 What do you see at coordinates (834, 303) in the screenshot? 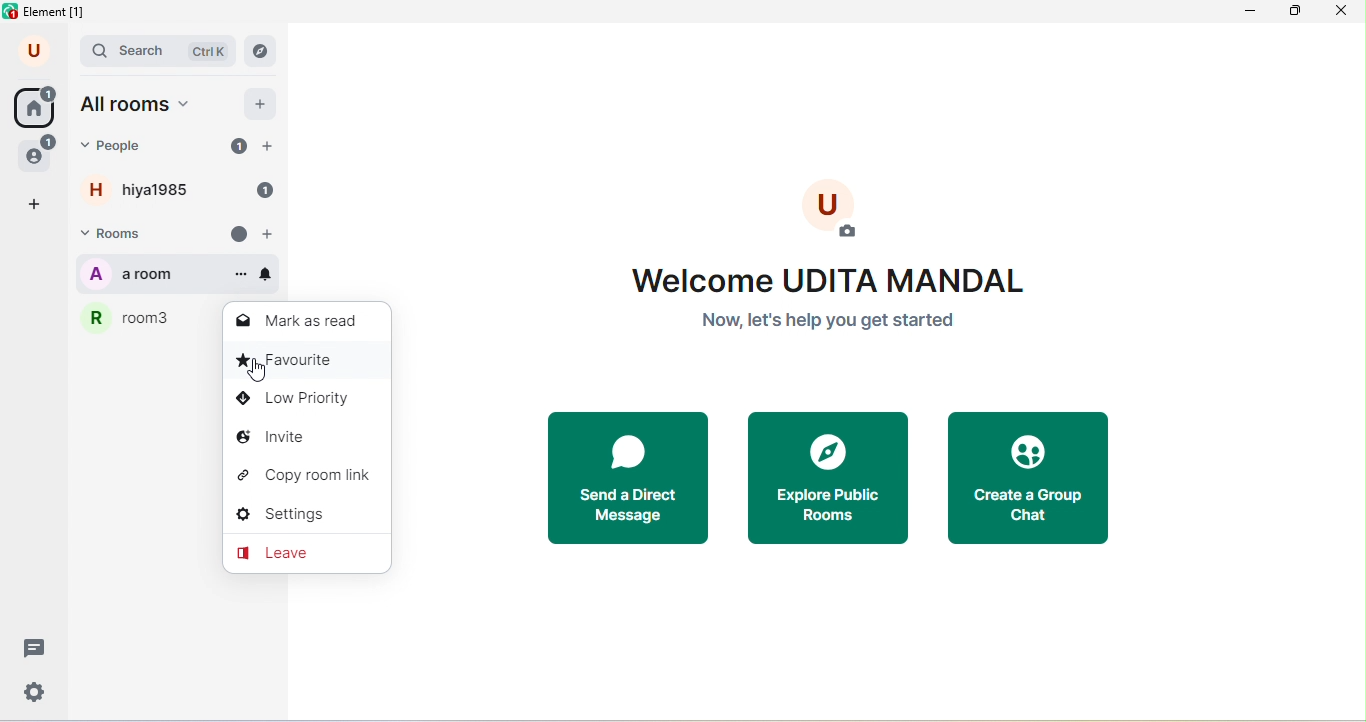
I see `welcome text` at bounding box center [834, 303].